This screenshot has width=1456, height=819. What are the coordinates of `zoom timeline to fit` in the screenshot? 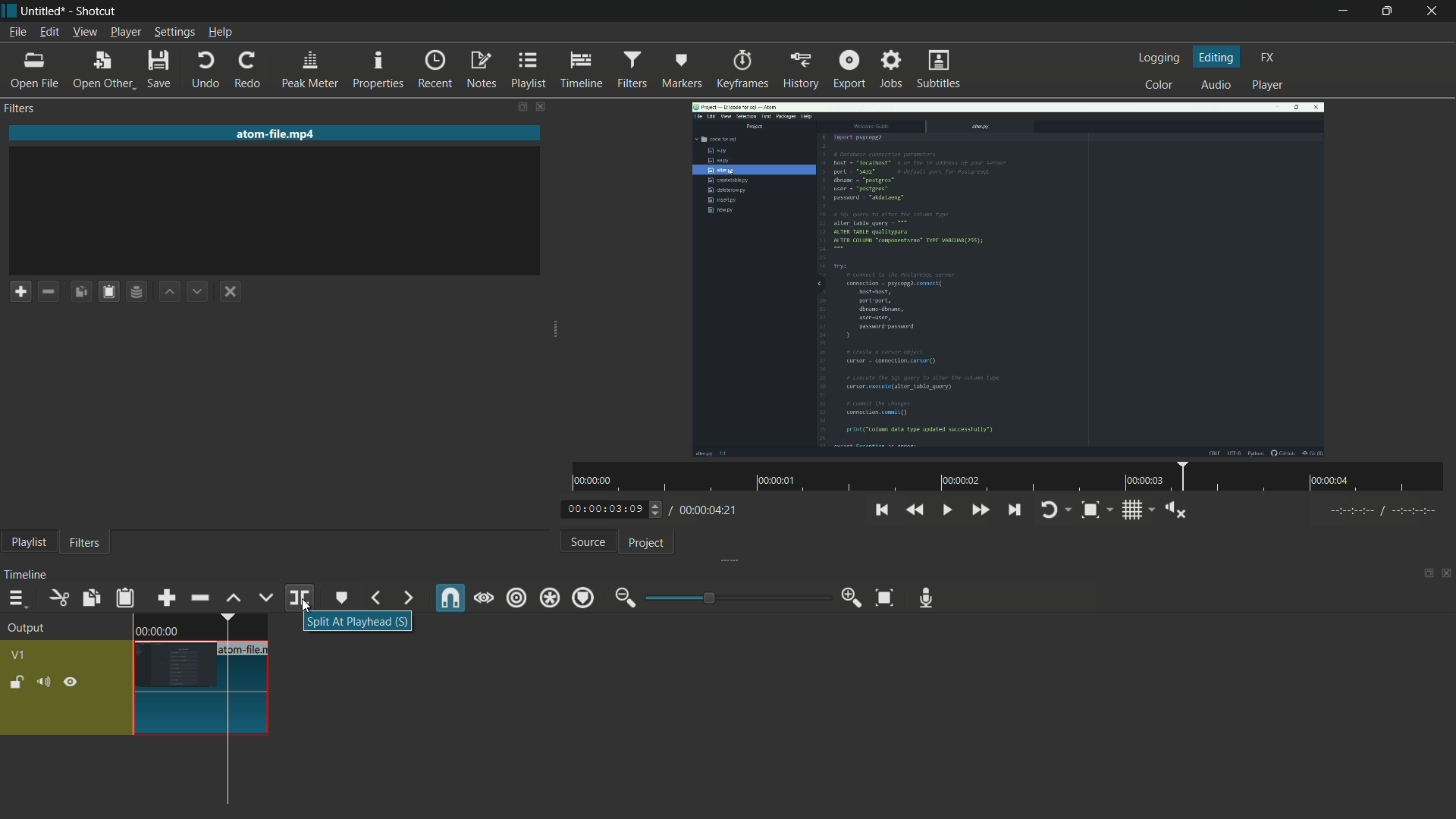 It's located at (883, 598).